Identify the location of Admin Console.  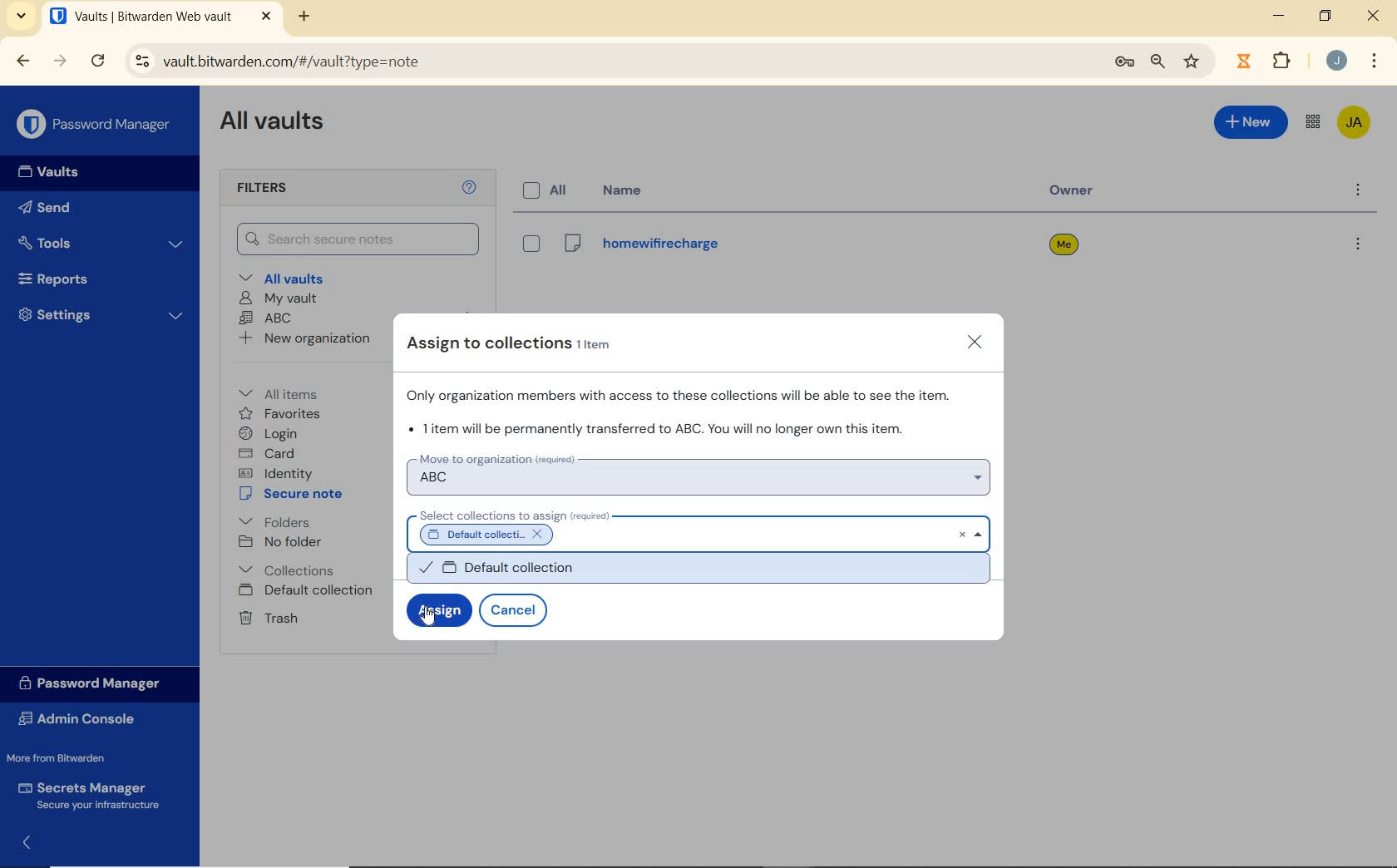
(86, 718).